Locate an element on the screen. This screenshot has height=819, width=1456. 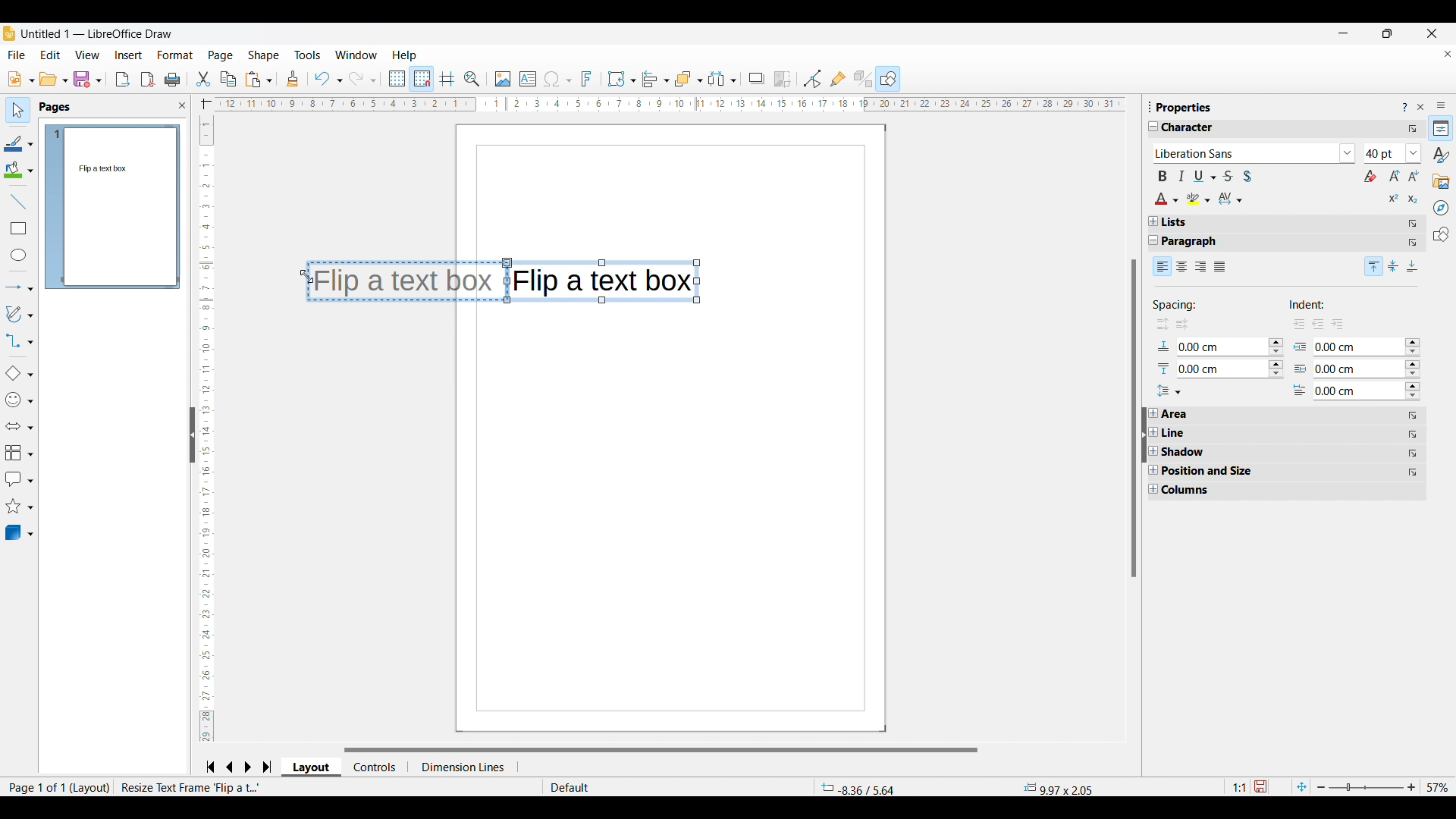
Export directly as PDF is located at coordinates (148, 80).